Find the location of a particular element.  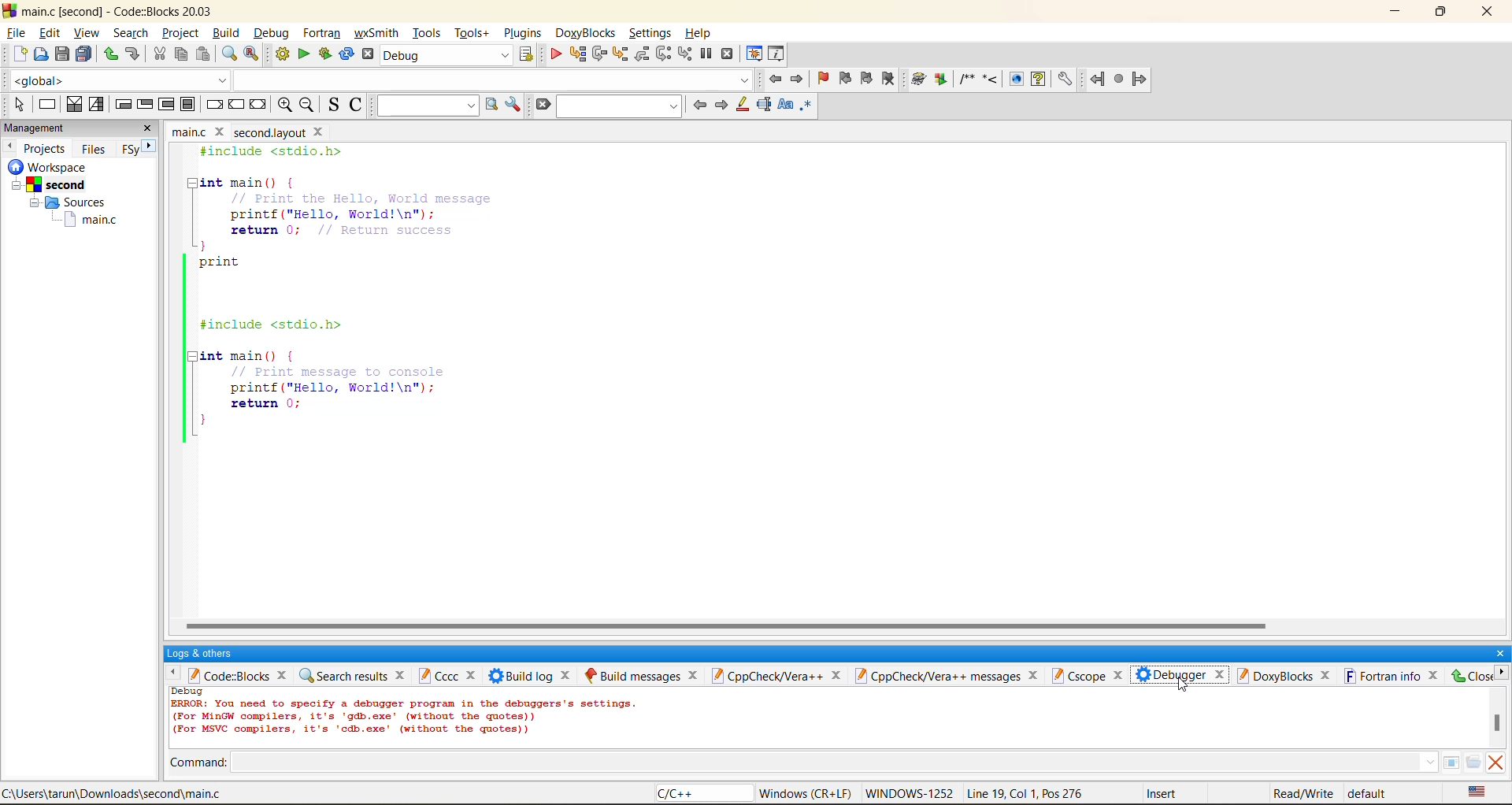

doxyblocks is located at coordinates (991, 80).